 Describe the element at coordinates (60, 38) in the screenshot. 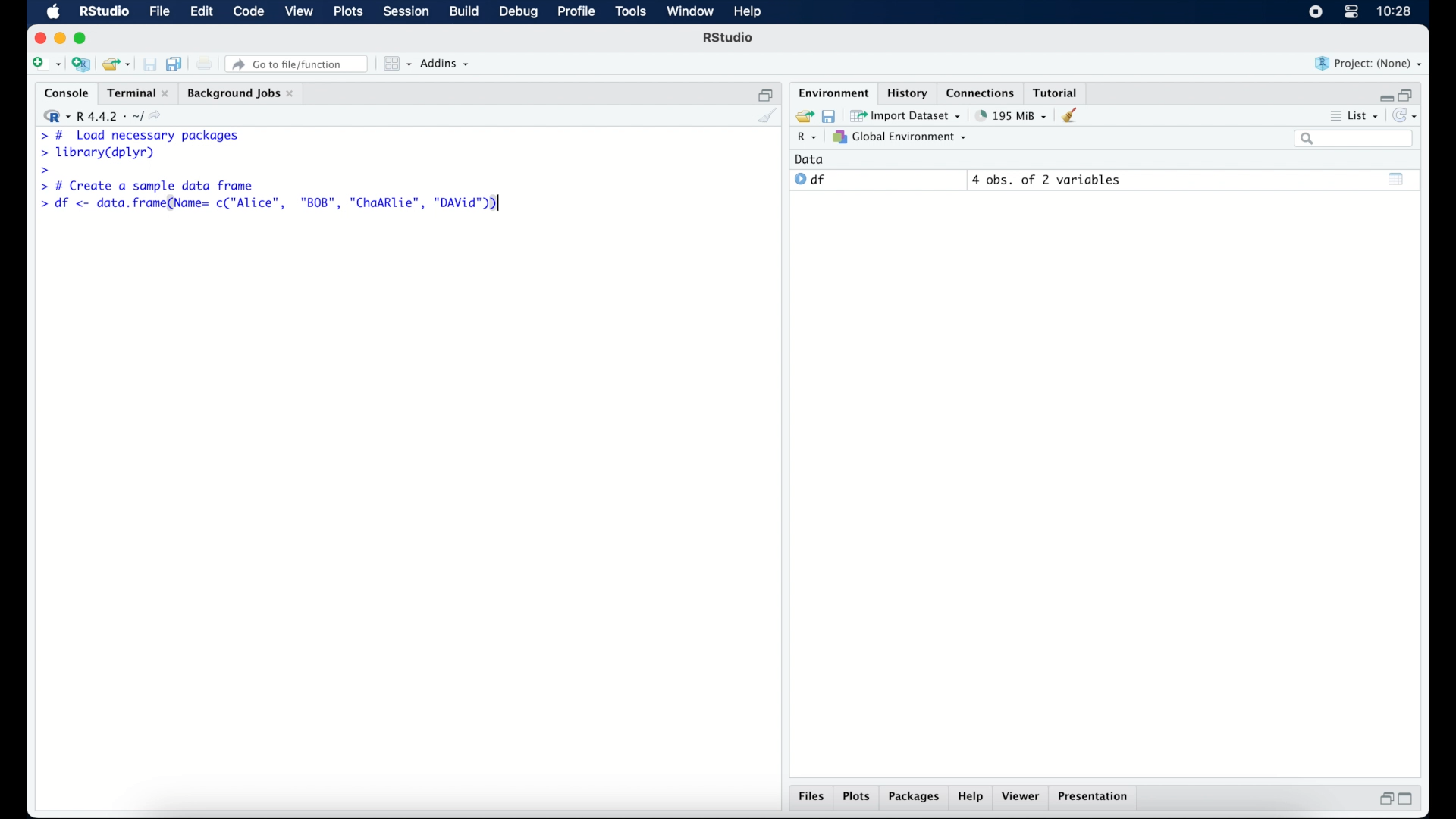

I see `minimize` at that location.